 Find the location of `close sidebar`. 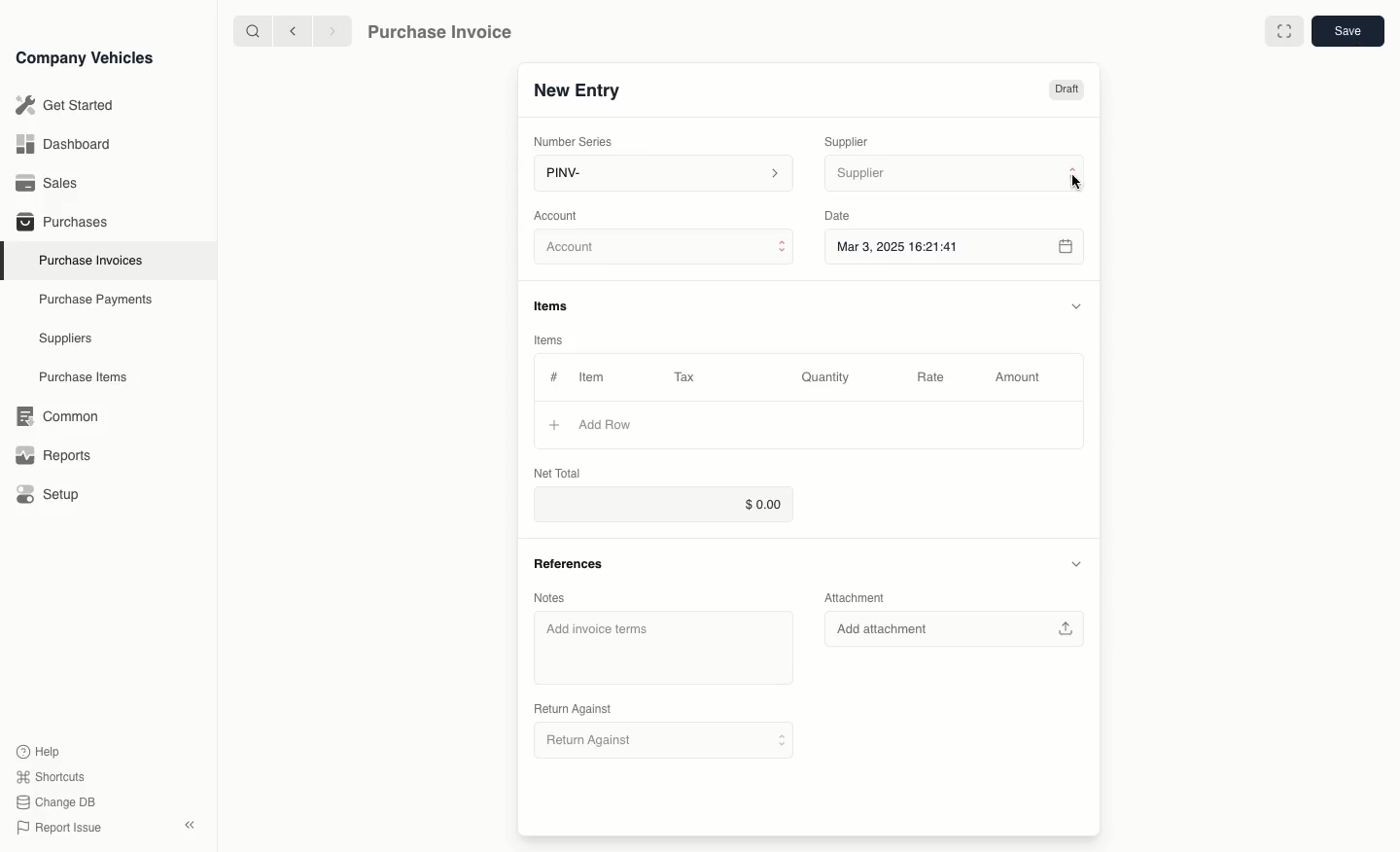

close sidebar is located at coordinates (192, 823).